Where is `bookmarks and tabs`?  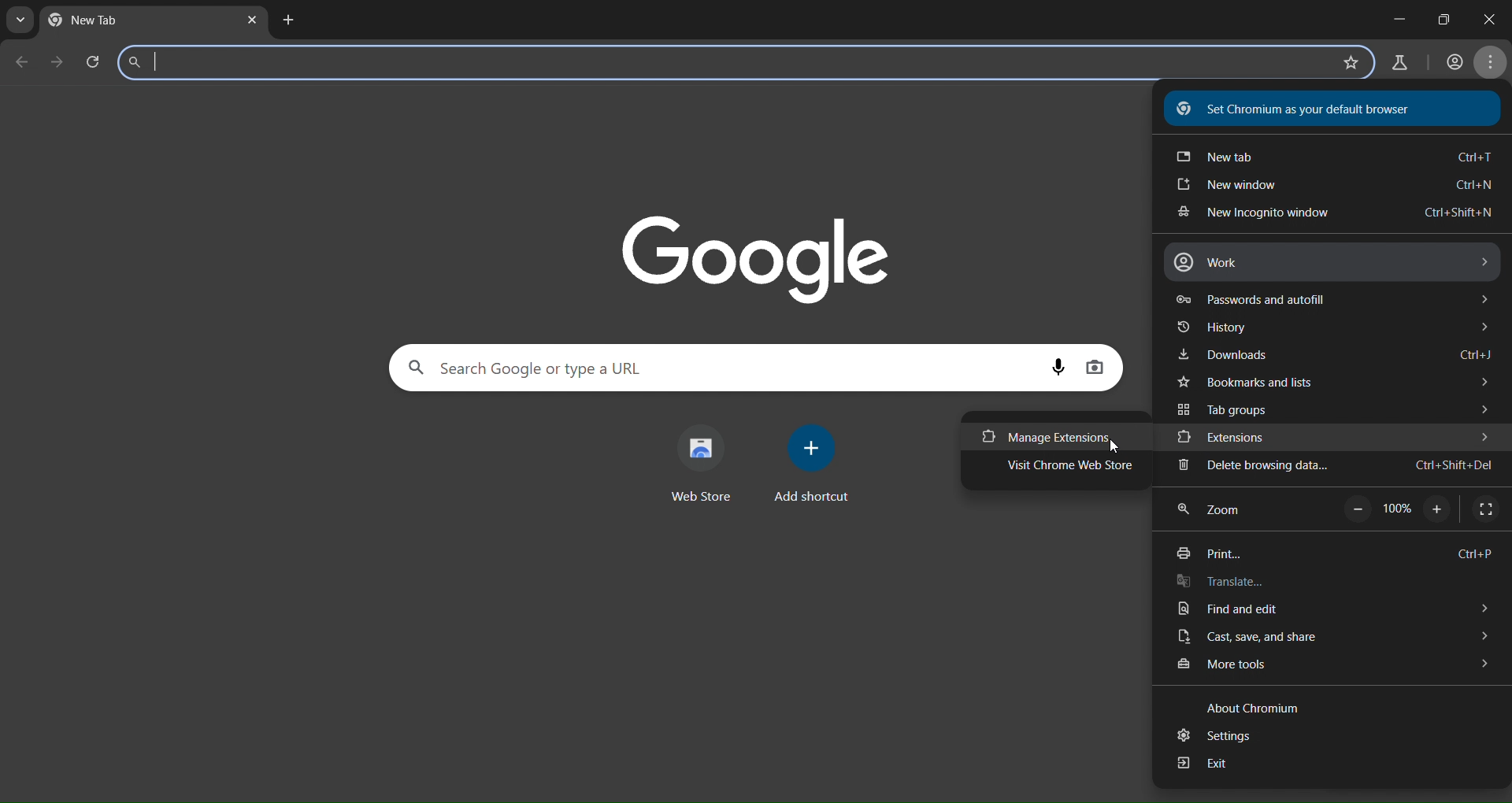 bookmarks and tabs is located at coordinates (1337, 382).